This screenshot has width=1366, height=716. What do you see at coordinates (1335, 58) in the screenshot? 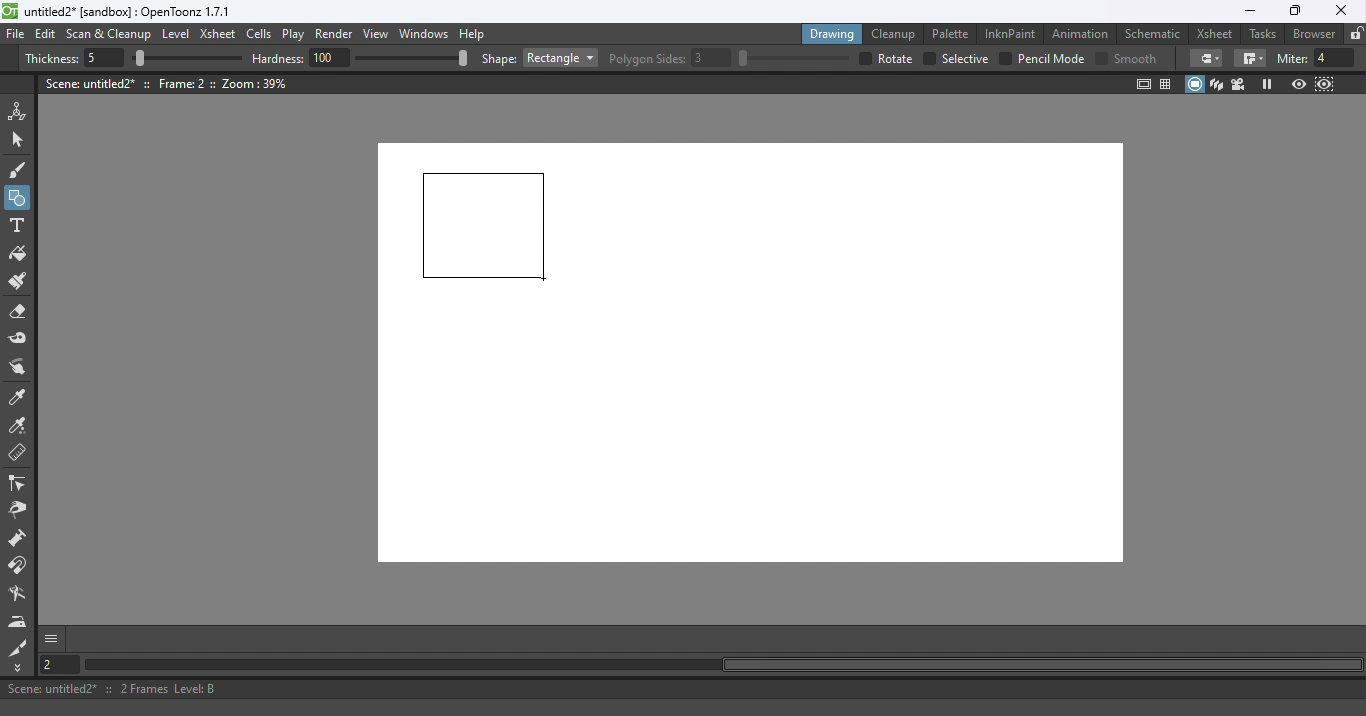
I see `4` at bounding box center [1335, 58].